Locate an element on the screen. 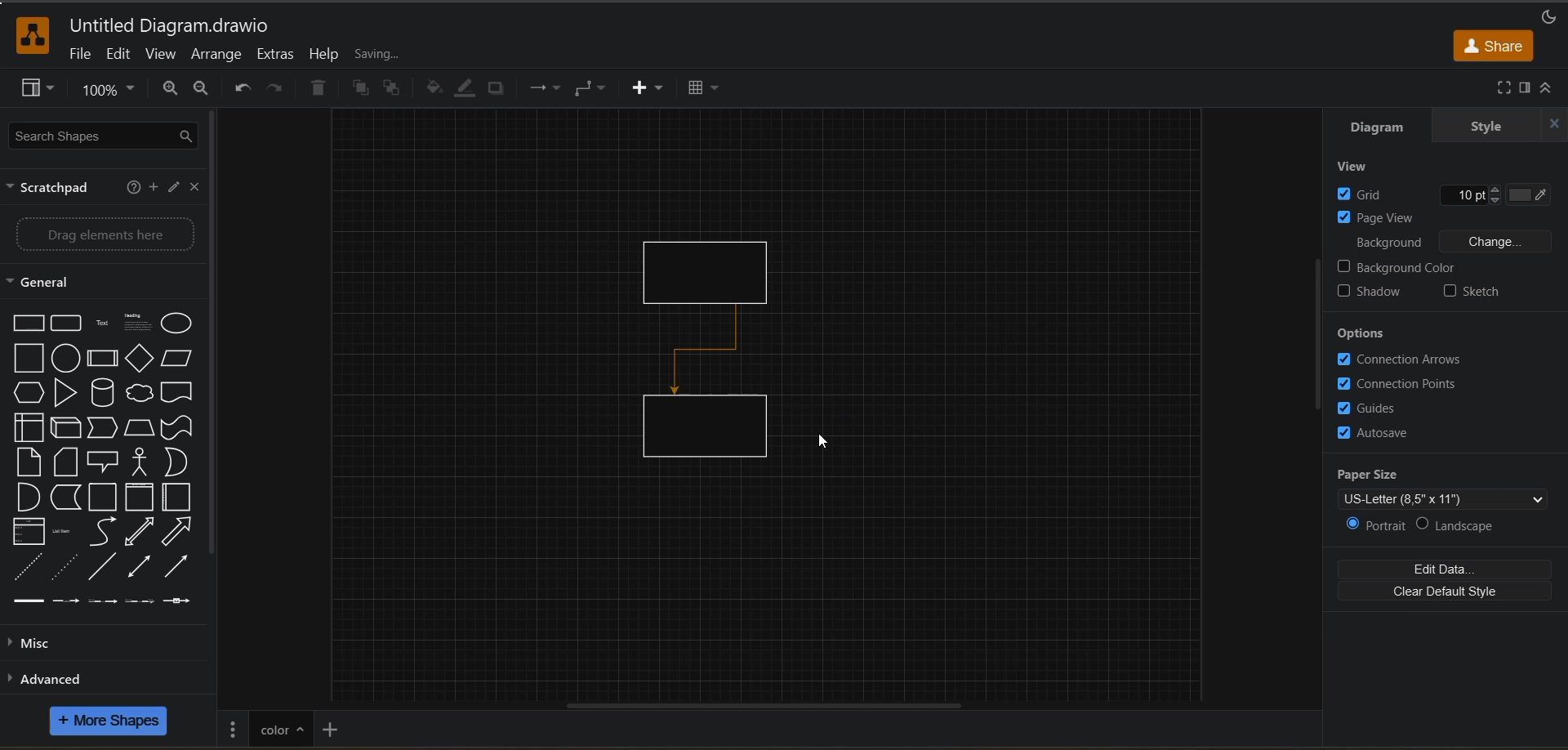 Image resolution: width=1568 pixels, height=750 pixels. connector is located at coordinates (706, 350).